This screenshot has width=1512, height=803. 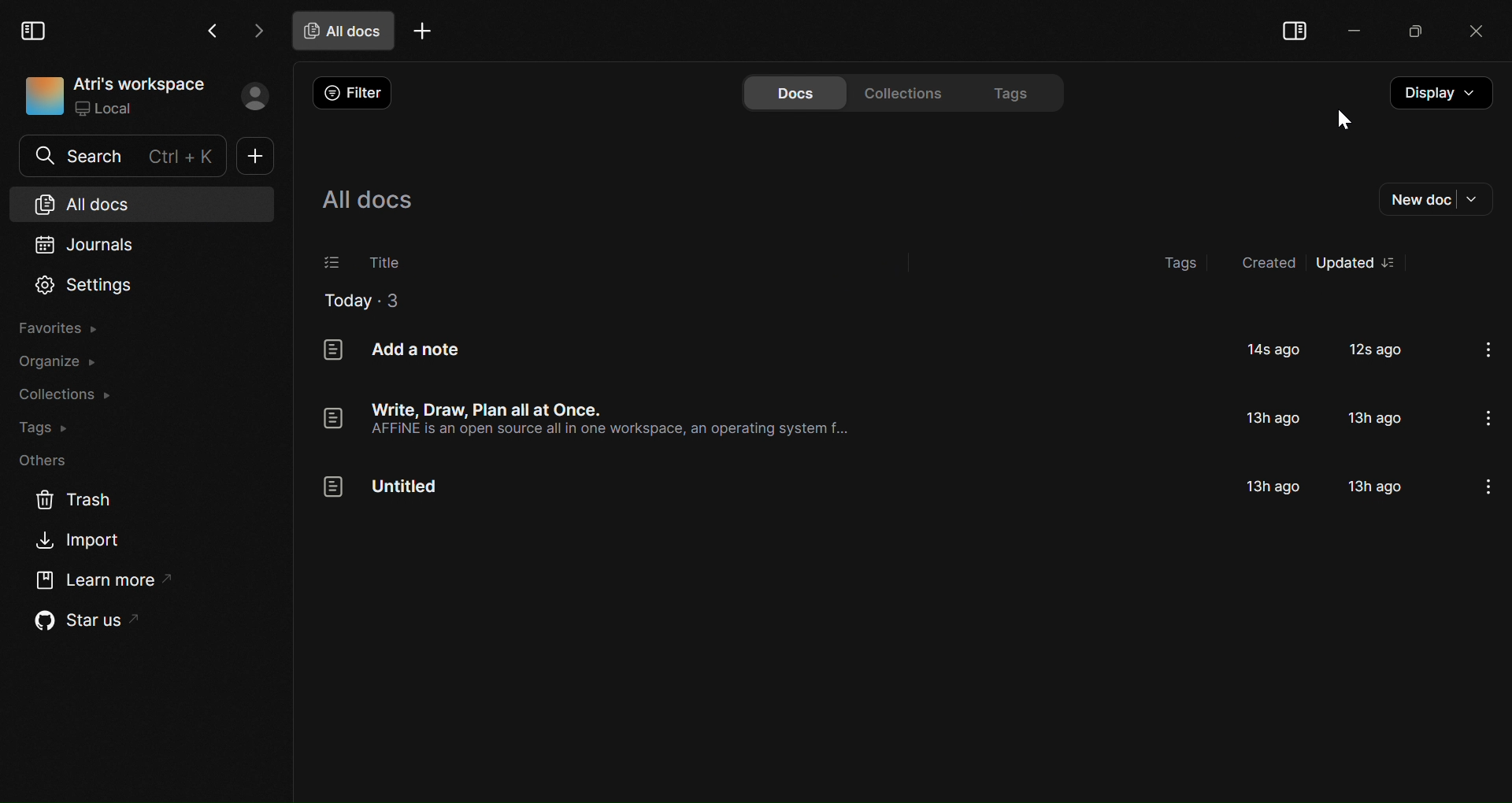 I want to click on options, so click(x=1485, y=489).